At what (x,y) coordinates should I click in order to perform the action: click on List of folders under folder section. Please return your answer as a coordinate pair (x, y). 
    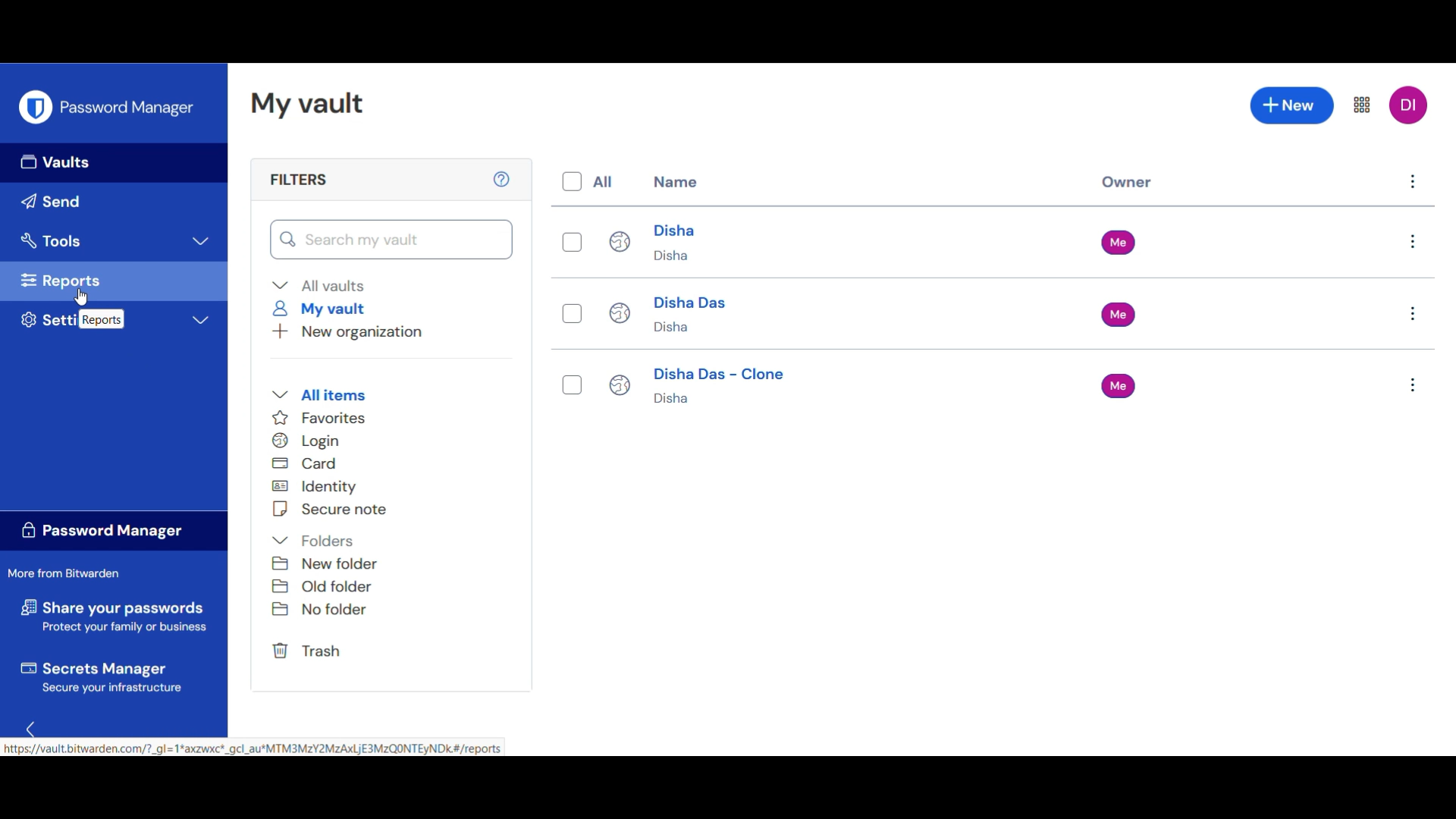
    Looking at the image, I should click on (326, 585).